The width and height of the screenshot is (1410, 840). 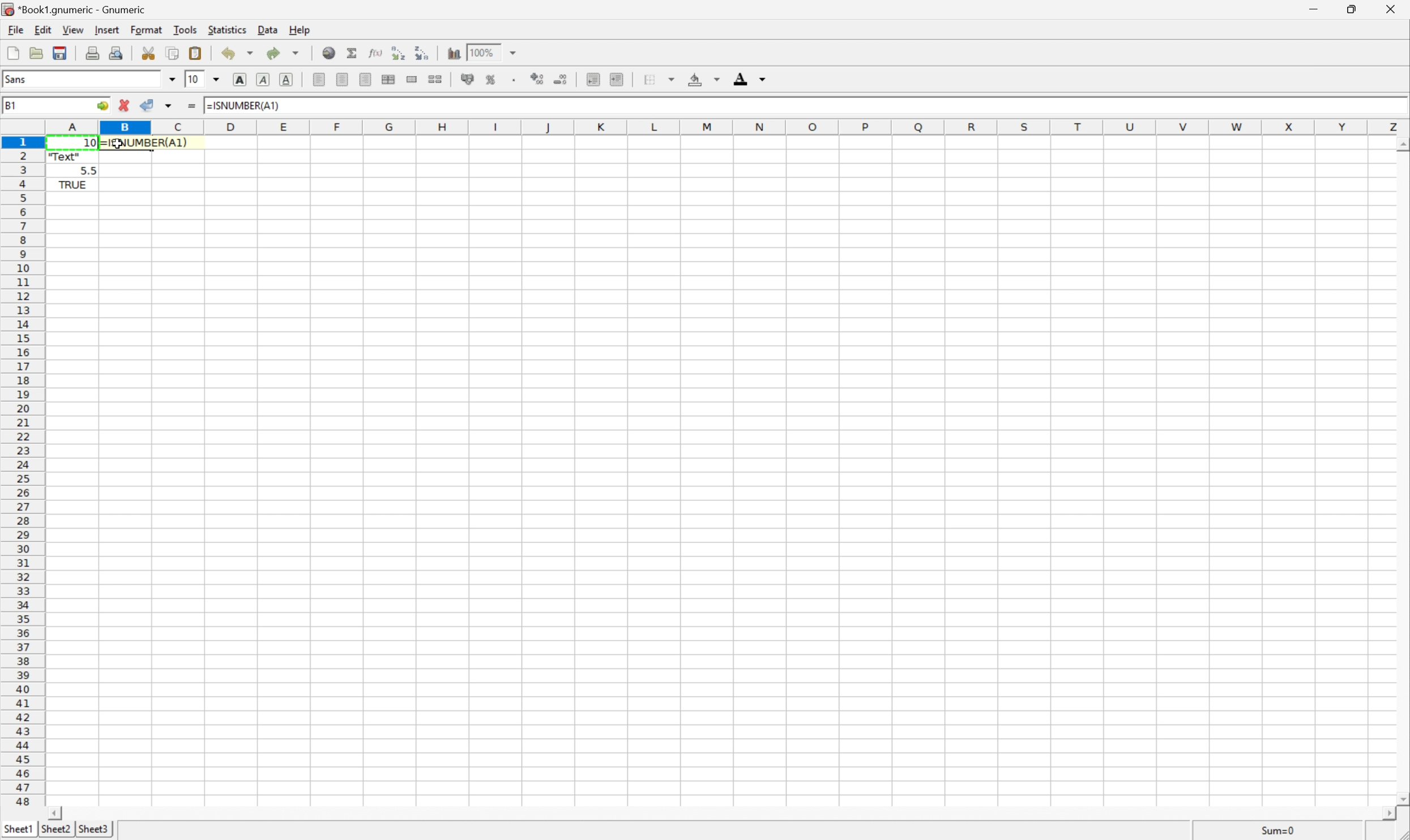 What do you see at coordinates (106, 29) in the screenshot?
I see `Insert` at bounding box center [106, 29].